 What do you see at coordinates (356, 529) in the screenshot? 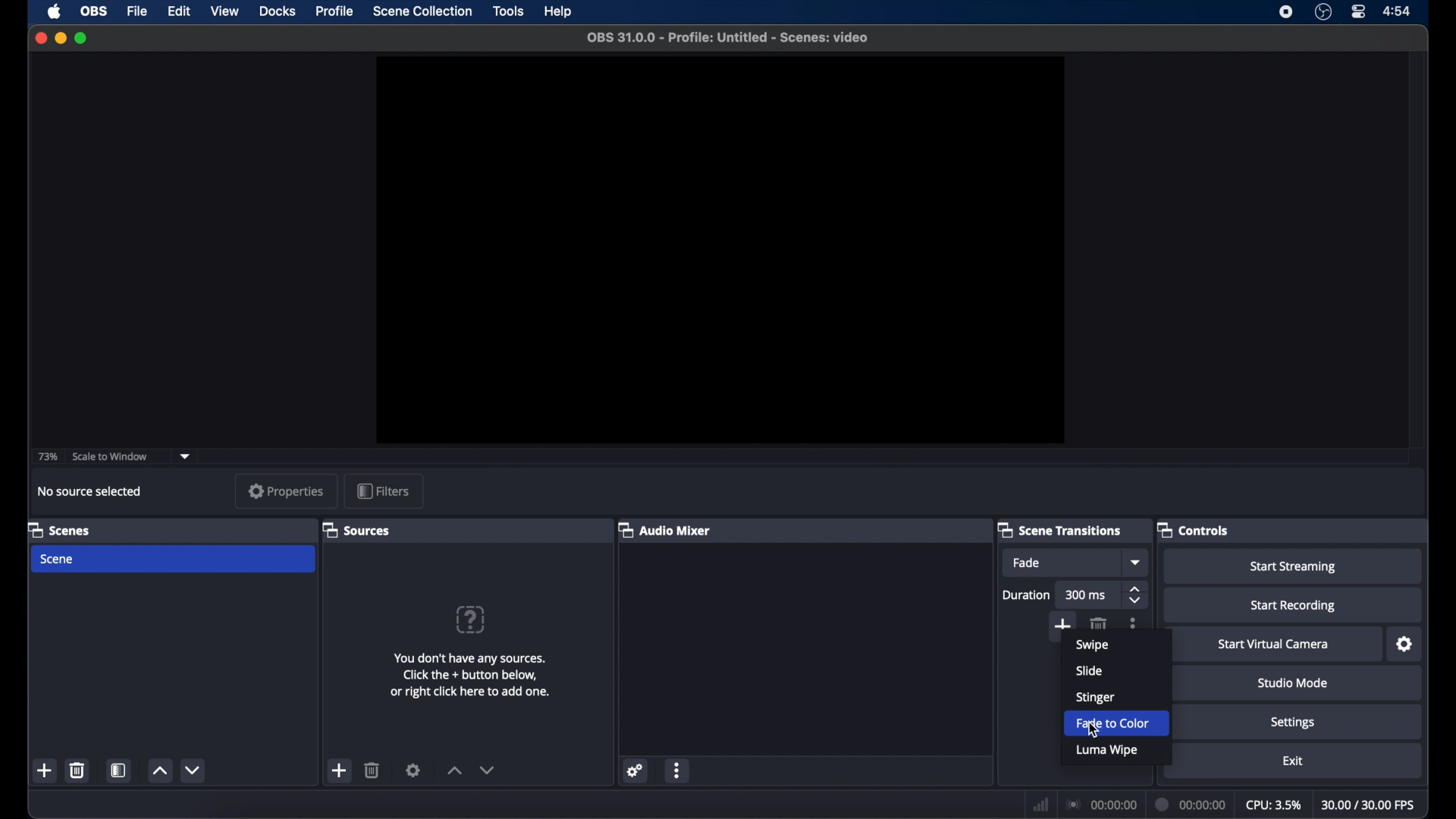
I see `sources` at bounding box center [356, 529].